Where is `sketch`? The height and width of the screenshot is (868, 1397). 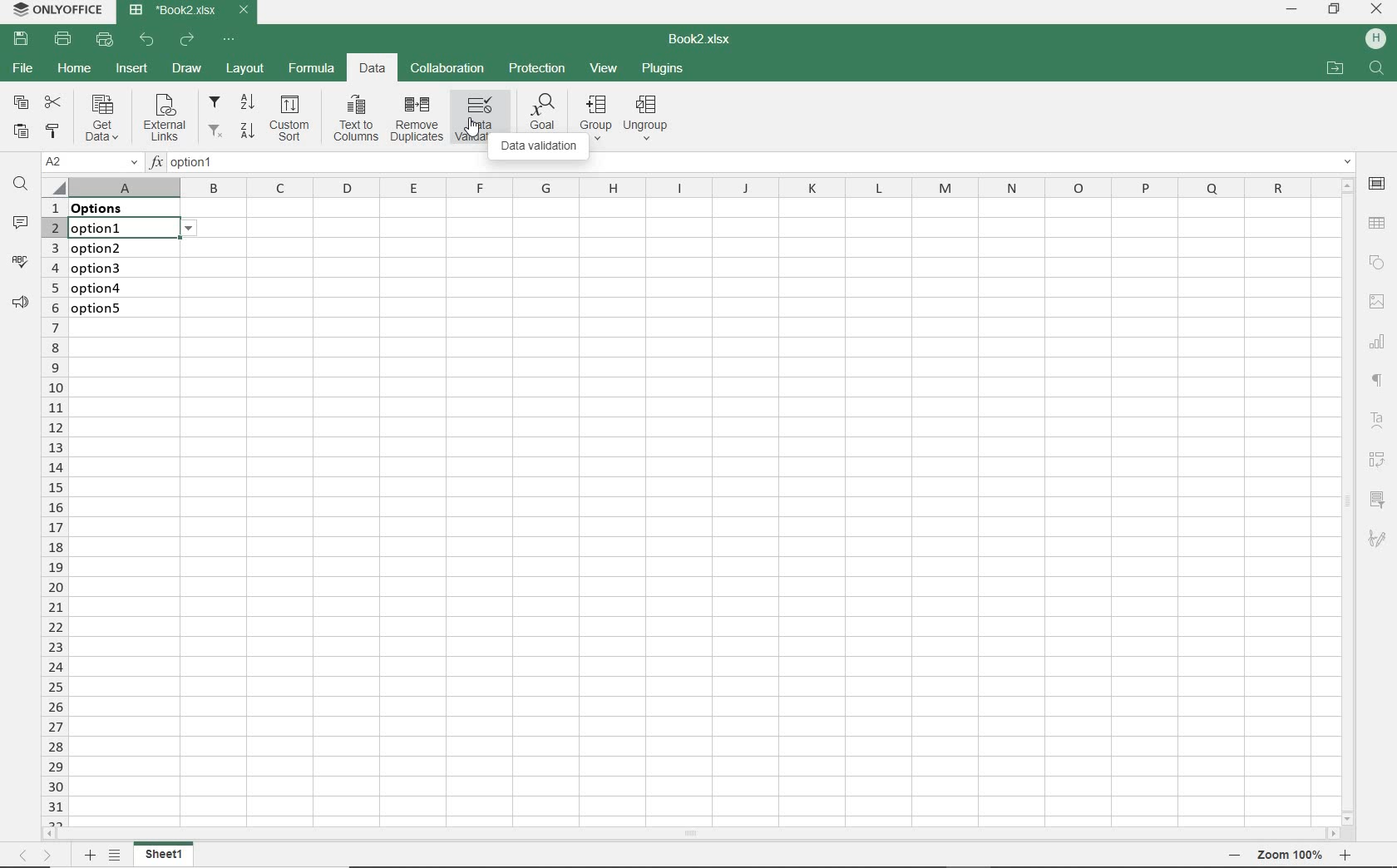
sketch is located at coordinates (1380, 540).